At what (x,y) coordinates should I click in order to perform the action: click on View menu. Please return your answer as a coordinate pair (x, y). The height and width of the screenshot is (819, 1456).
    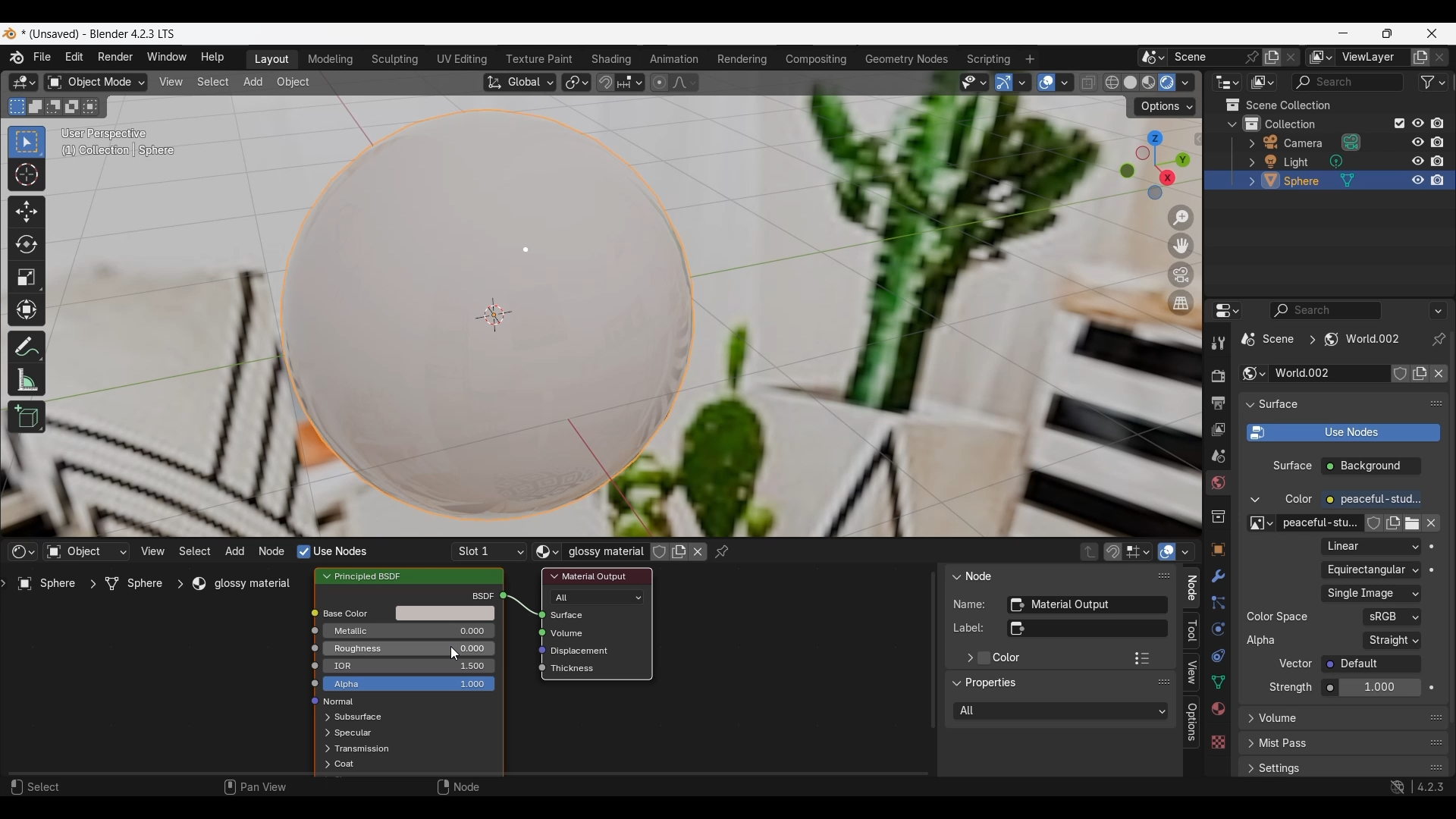
    Looking at the image, I should click on (152, 551).